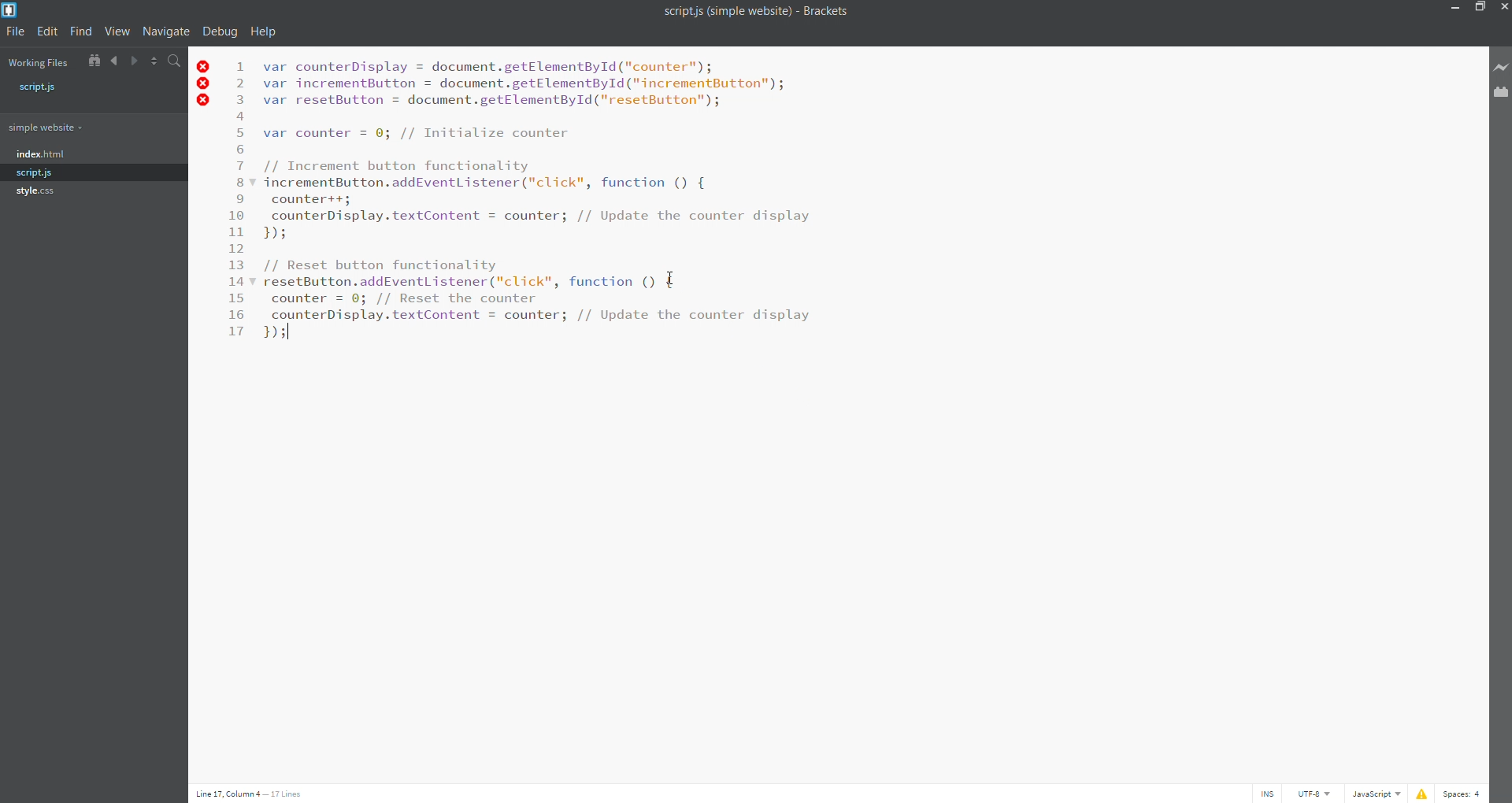  I want to click on script.js, so click(91, 172).